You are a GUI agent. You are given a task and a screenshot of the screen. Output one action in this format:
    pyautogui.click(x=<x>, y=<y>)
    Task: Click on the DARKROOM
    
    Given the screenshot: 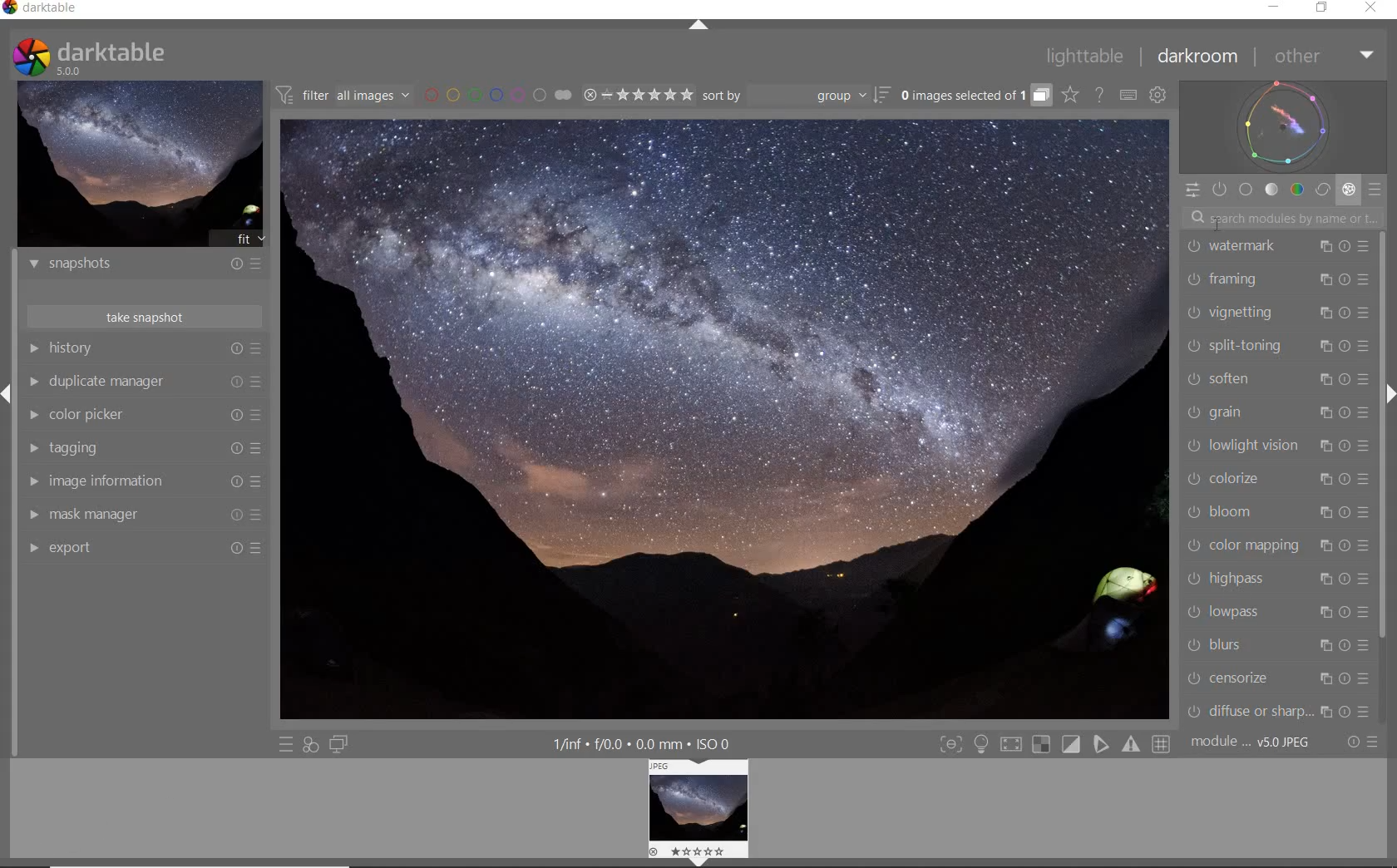 What is the action you would take?
    pyautogui.click(x=1204, y=56)
    